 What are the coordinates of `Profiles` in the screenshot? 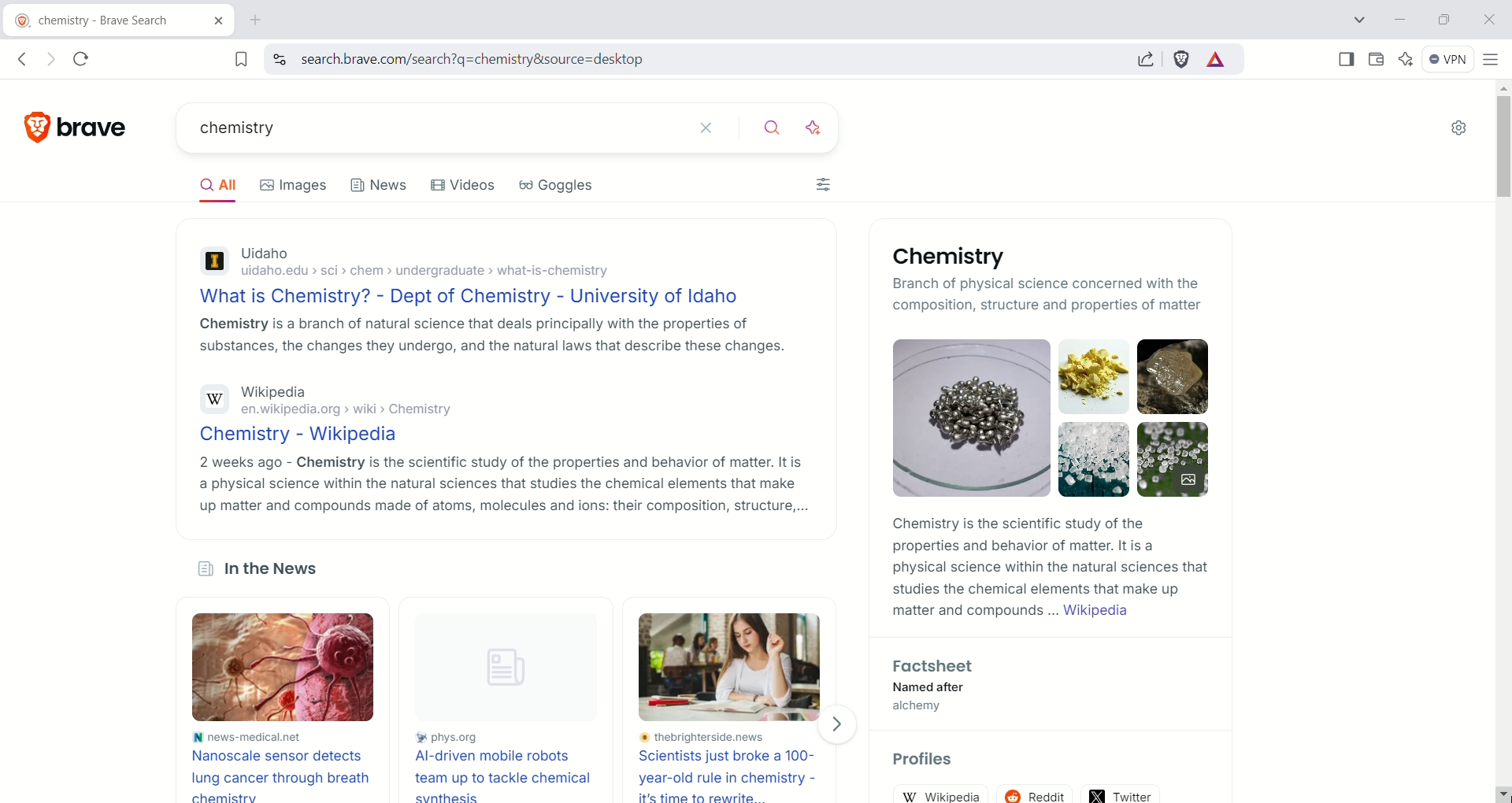 It's located at (932, 761).